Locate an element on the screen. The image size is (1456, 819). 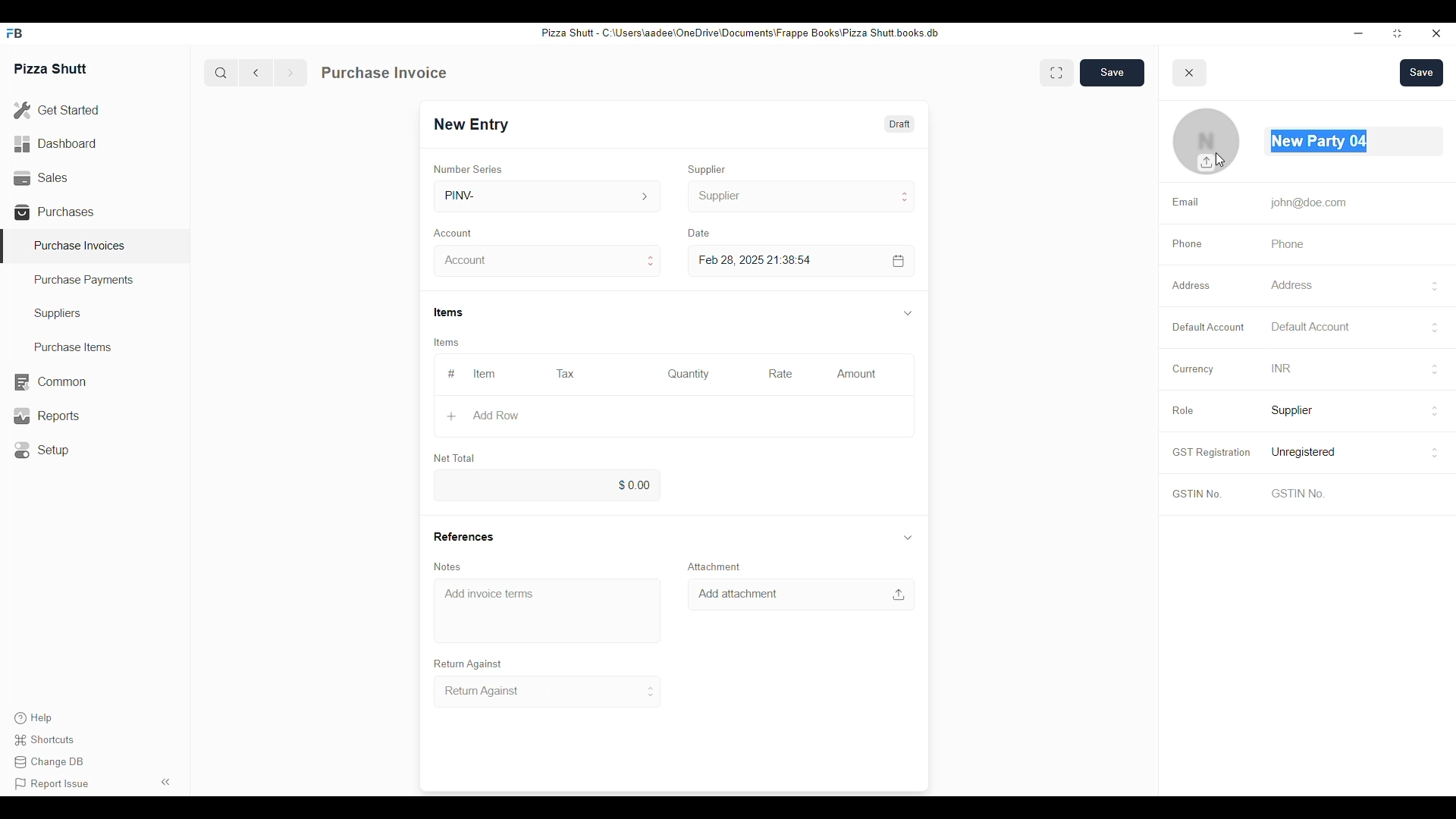
<< is located at coordinates (167, 781).